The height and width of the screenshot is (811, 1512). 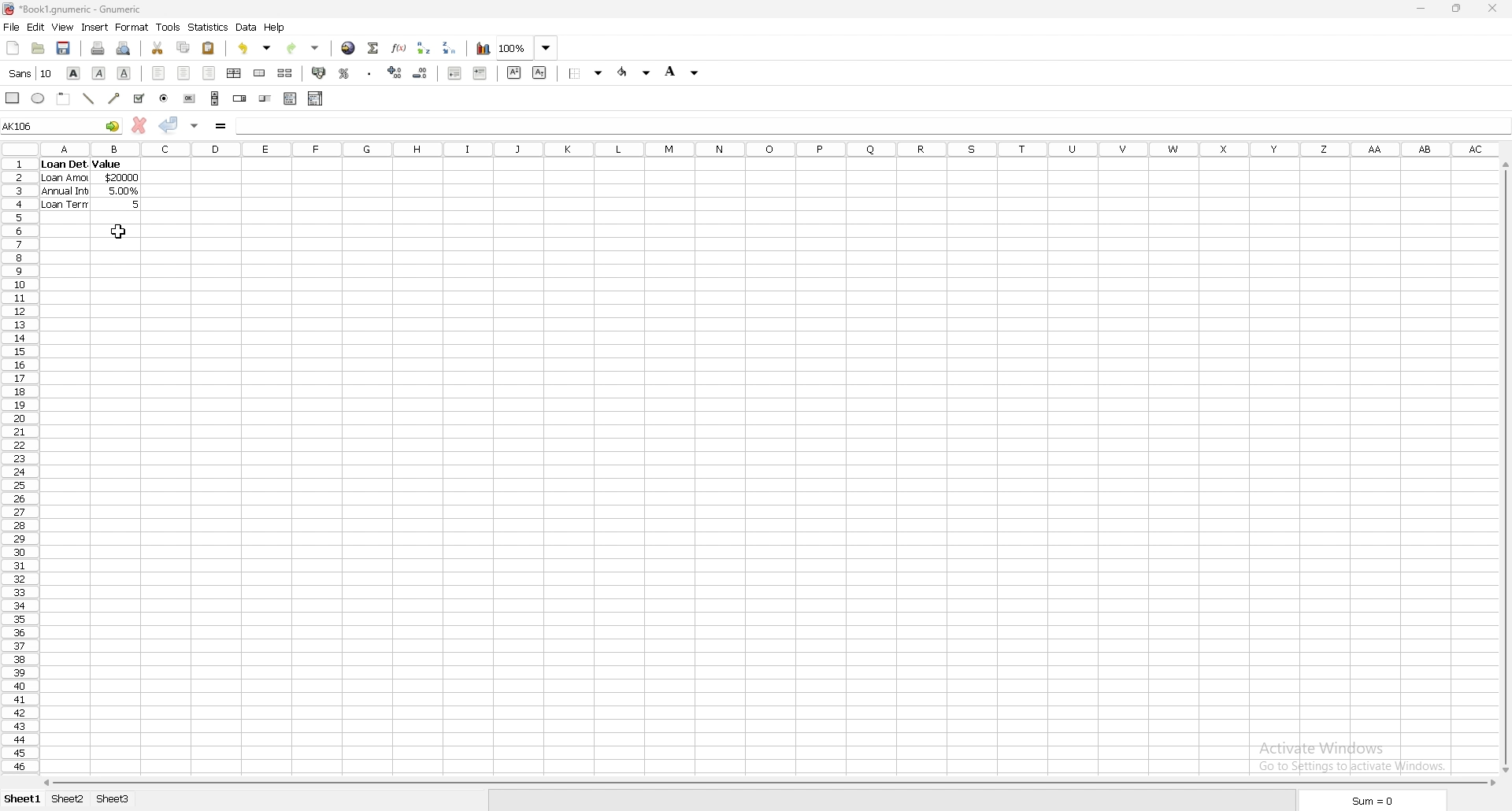 What do you see at coordinates (450, 46) in the screenshot?
I see `sort descending` at bounding box center [450, 46].